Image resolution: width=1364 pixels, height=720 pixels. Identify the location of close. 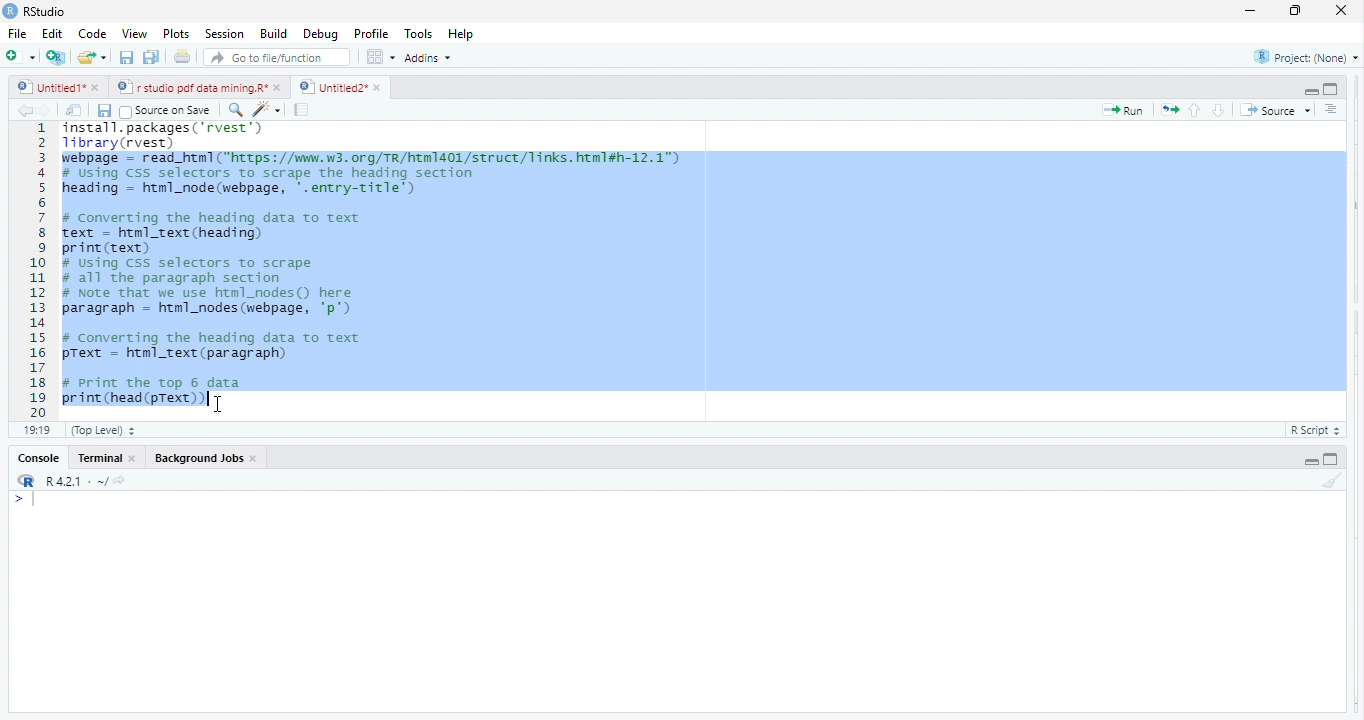
(137, 460).